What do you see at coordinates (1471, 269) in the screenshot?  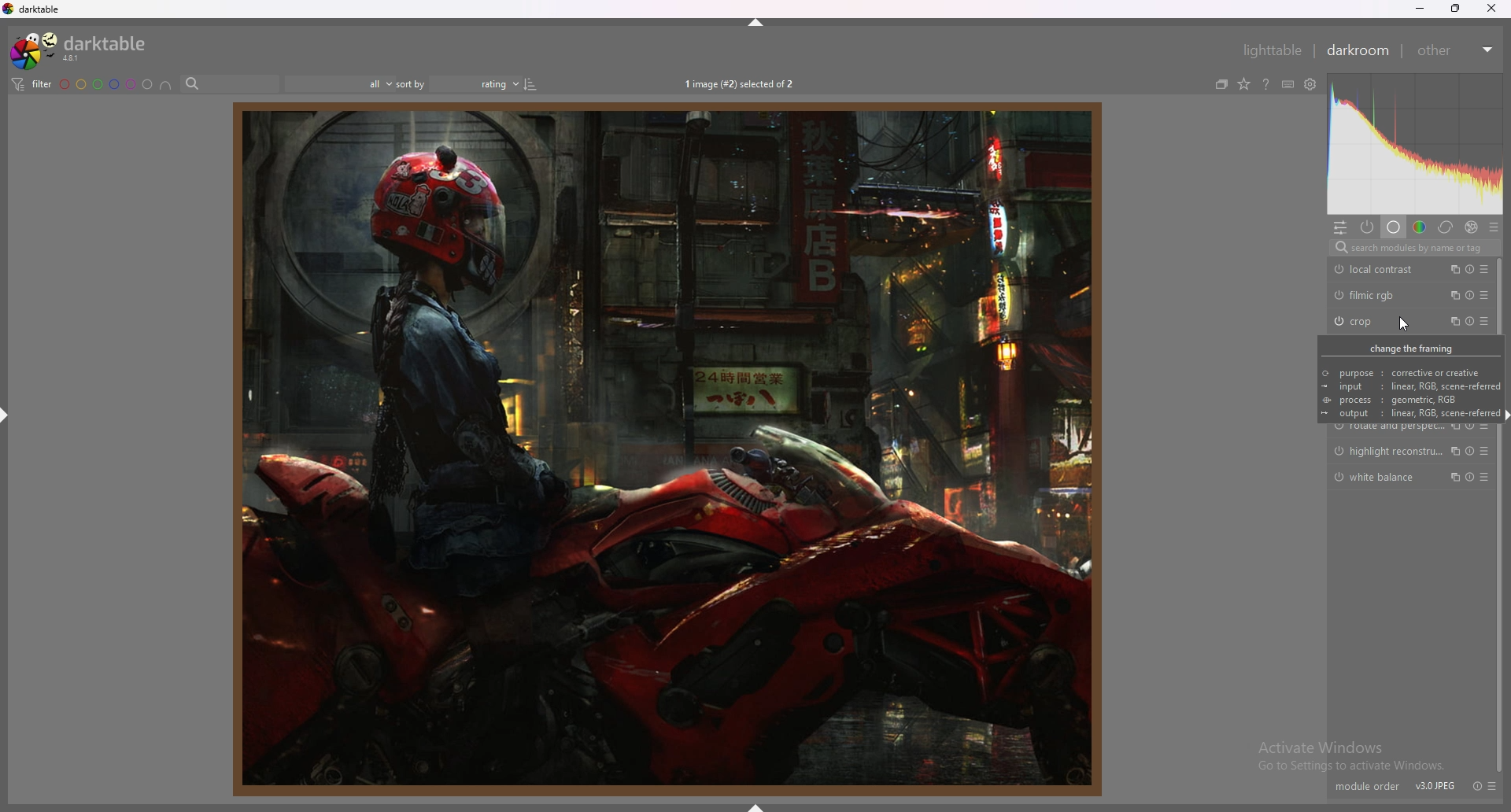 I see `reset` at bounding box center [1471, 269].